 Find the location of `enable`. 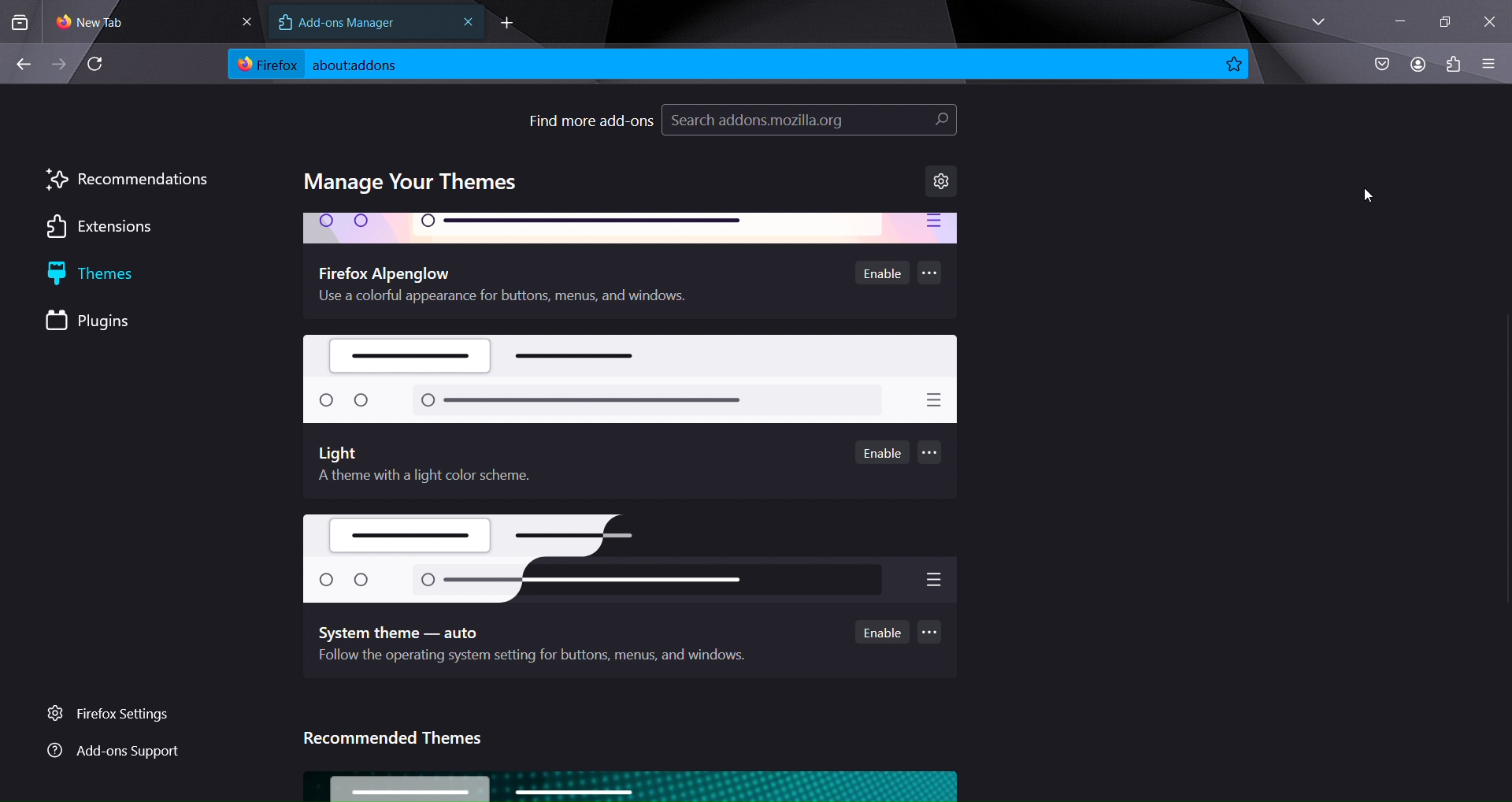

enable is located at coordinates (882, 631).